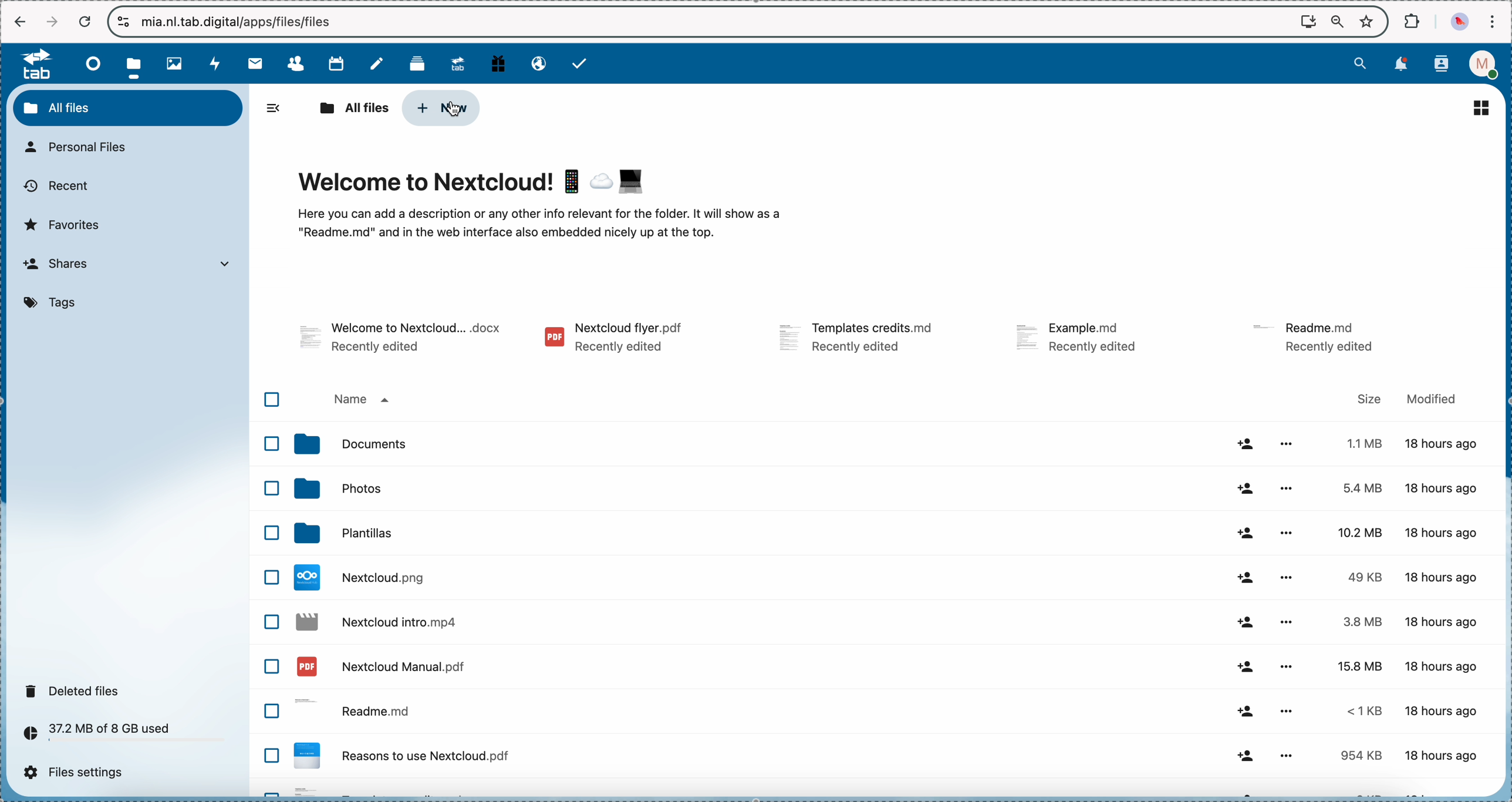 Image resolution: width=1512 pixels, height=802 pixels. Describe the element at coordinates (254, 63) in the screenshot. I see `mail` at that location.